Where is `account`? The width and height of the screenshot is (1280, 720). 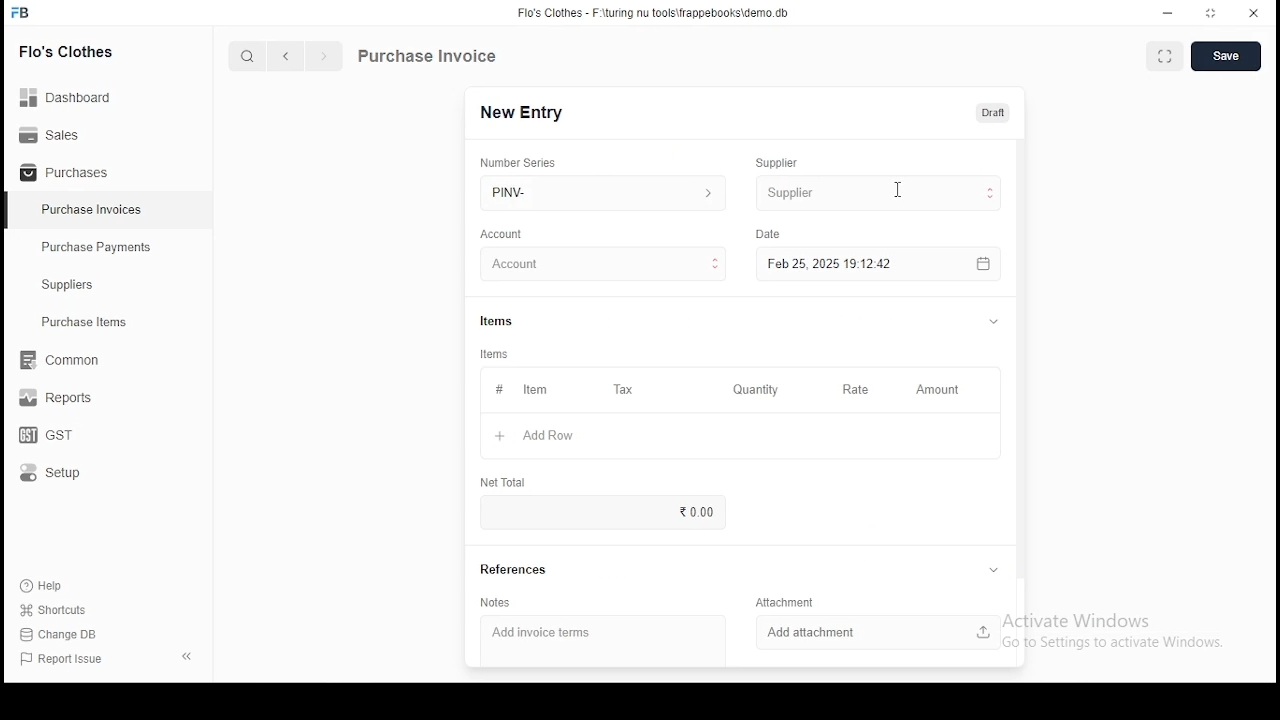
account is located at coordinates (604, 265).